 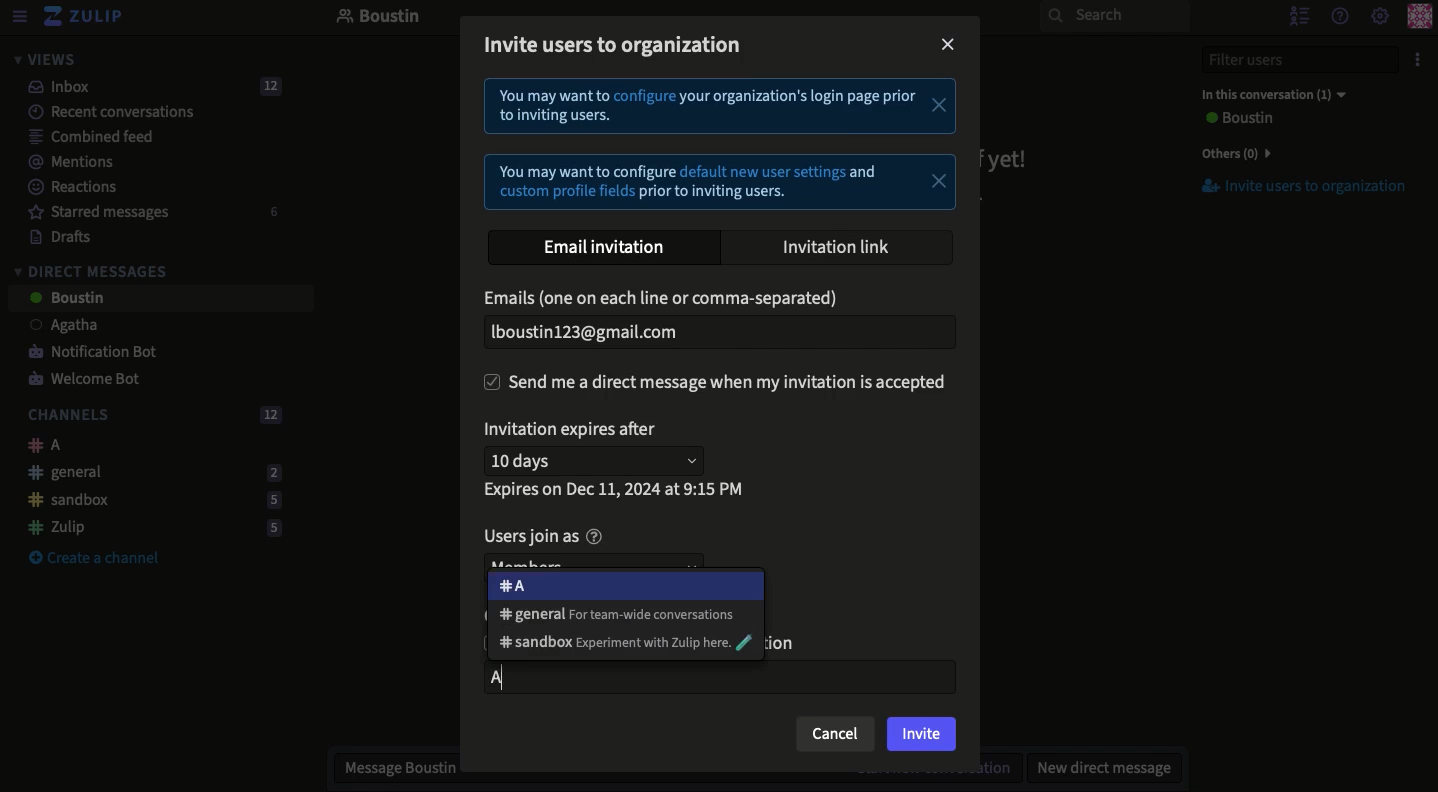 I want to click on Cancel, so click(x=835, y=734).